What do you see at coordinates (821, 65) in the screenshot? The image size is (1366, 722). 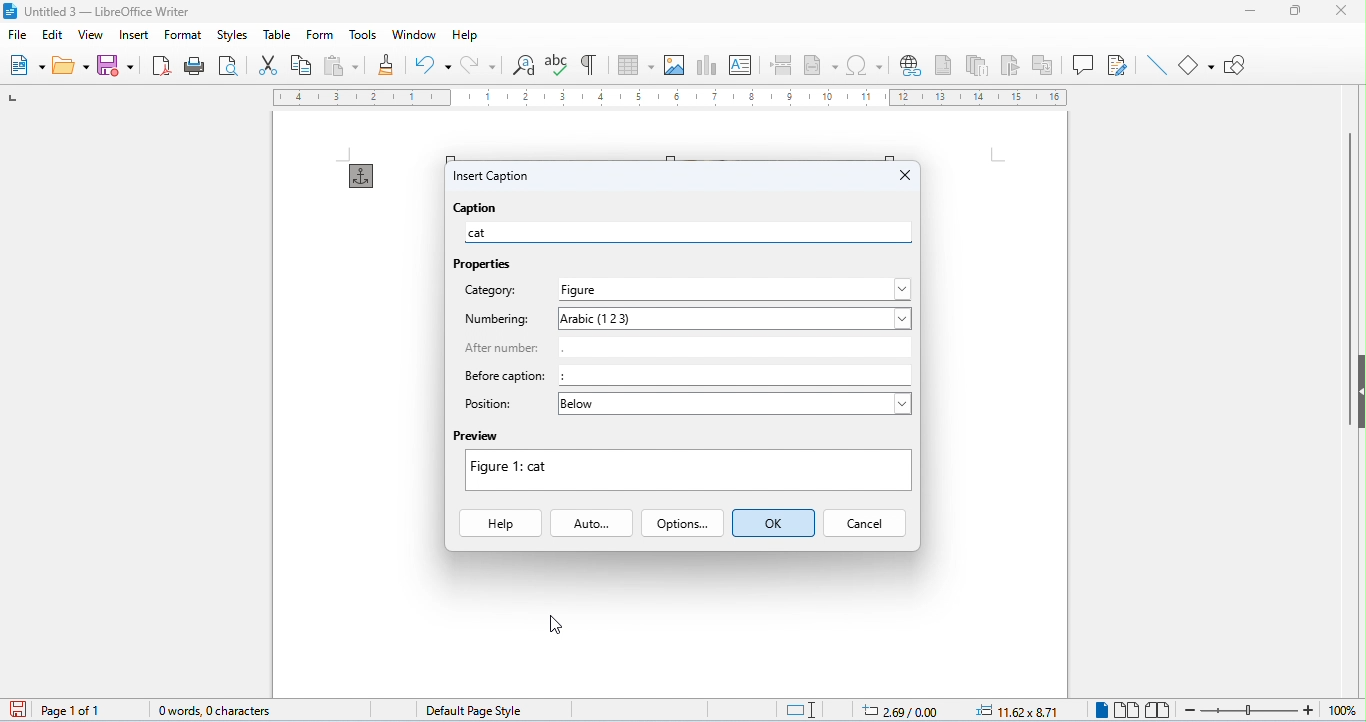 I see `insert field` at bounding box center [821, 65].